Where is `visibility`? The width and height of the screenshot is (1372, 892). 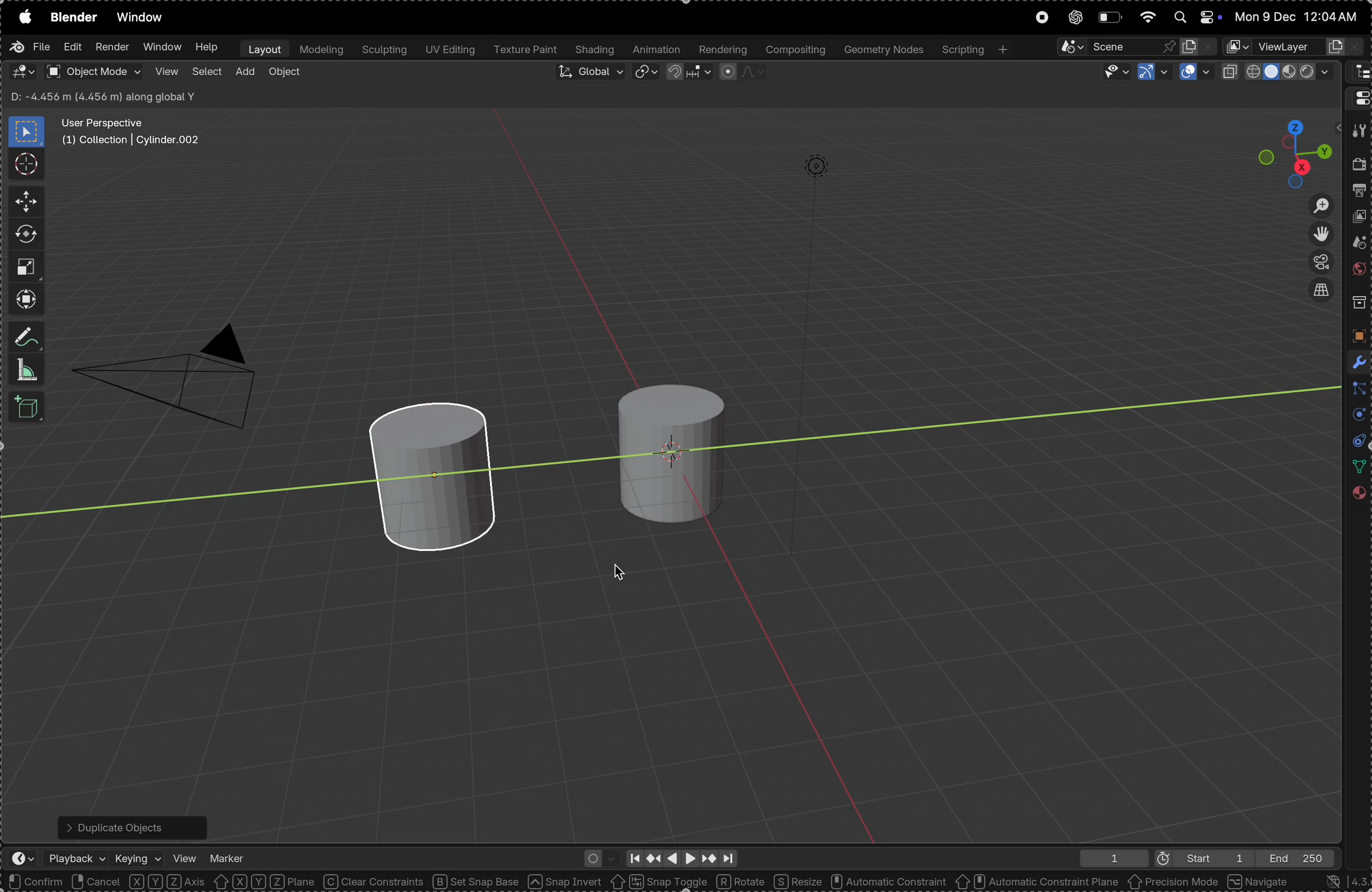
visibility is located at coordinates (1111, 72).